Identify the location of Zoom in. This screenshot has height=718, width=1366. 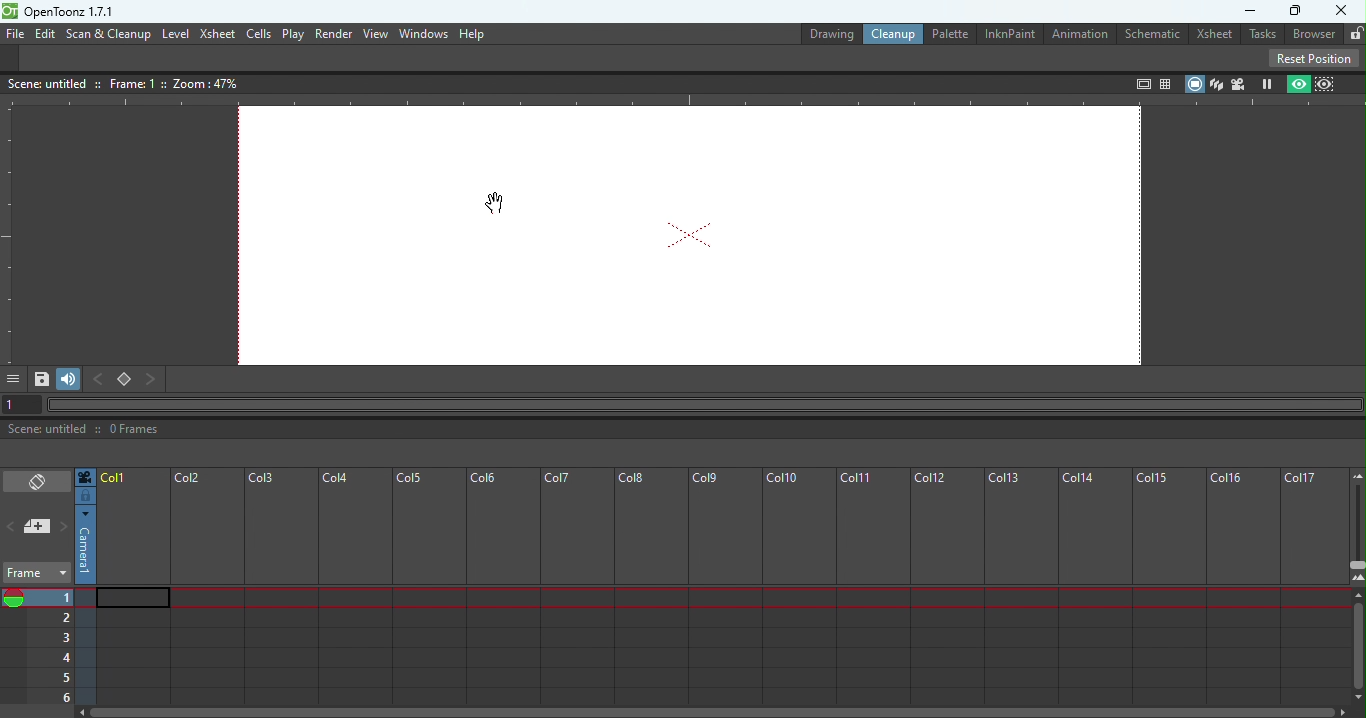
(1357, 572).